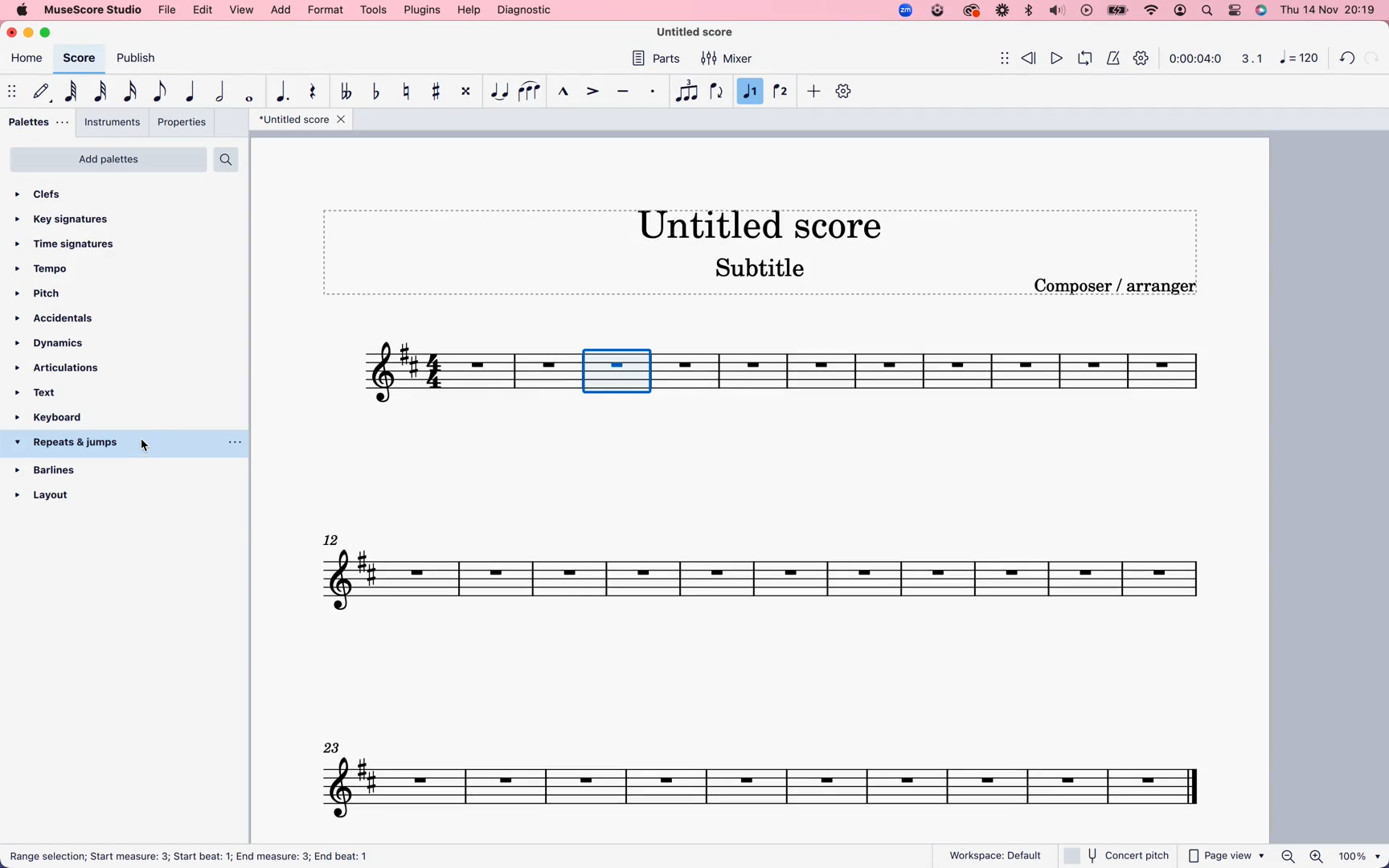 The height and width of the screenshot is (868, 1389). Describe the element at coordinates (59, 196) in the screenshot. I see `clefs` at that location.